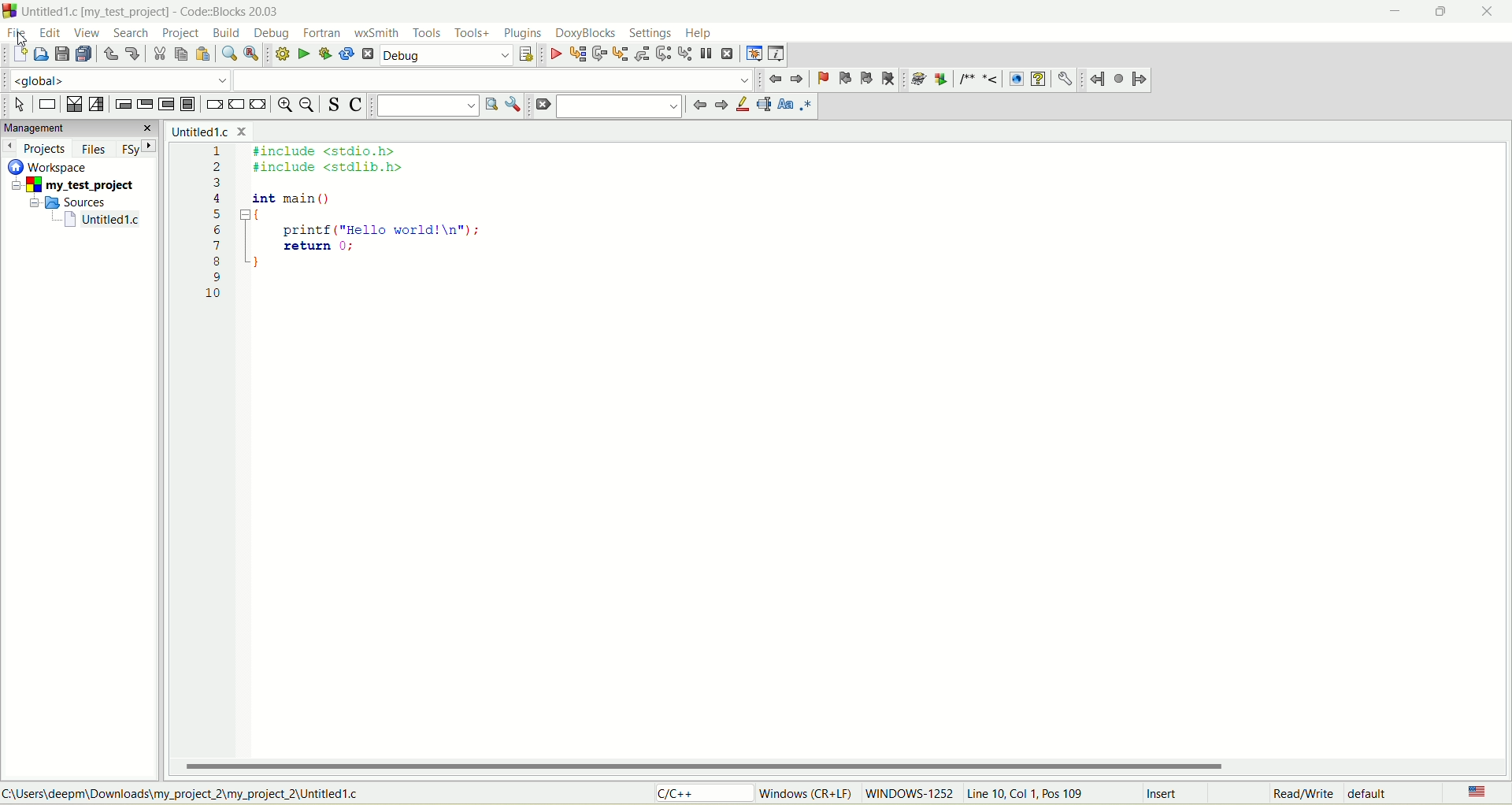  Describe the element at coordinates (842, 77) in the screenshot. I see `prev bookmark` at that location.